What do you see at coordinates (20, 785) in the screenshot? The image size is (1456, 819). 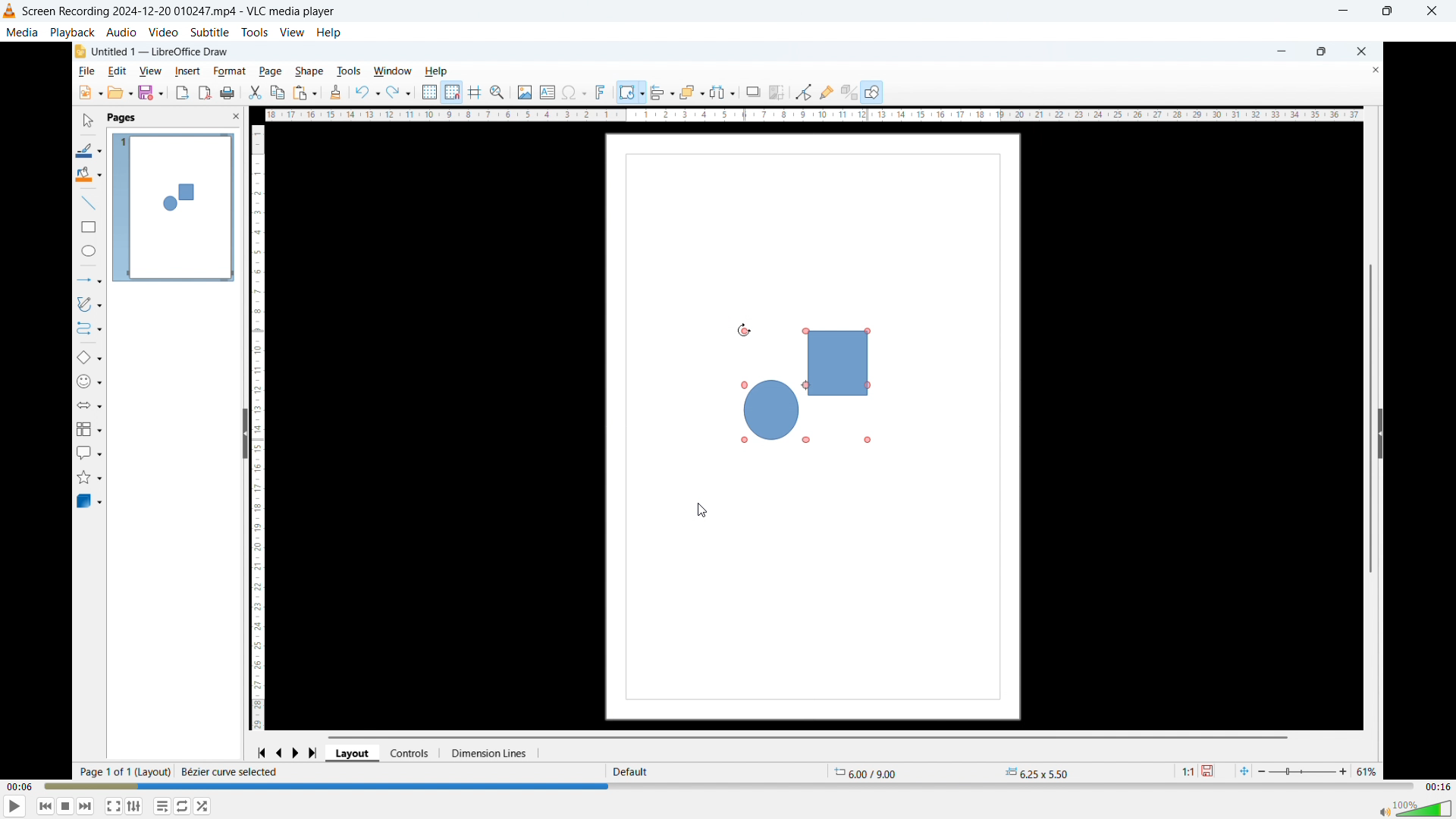 I see `Time elapsed ` at bounding box center [20, 785].